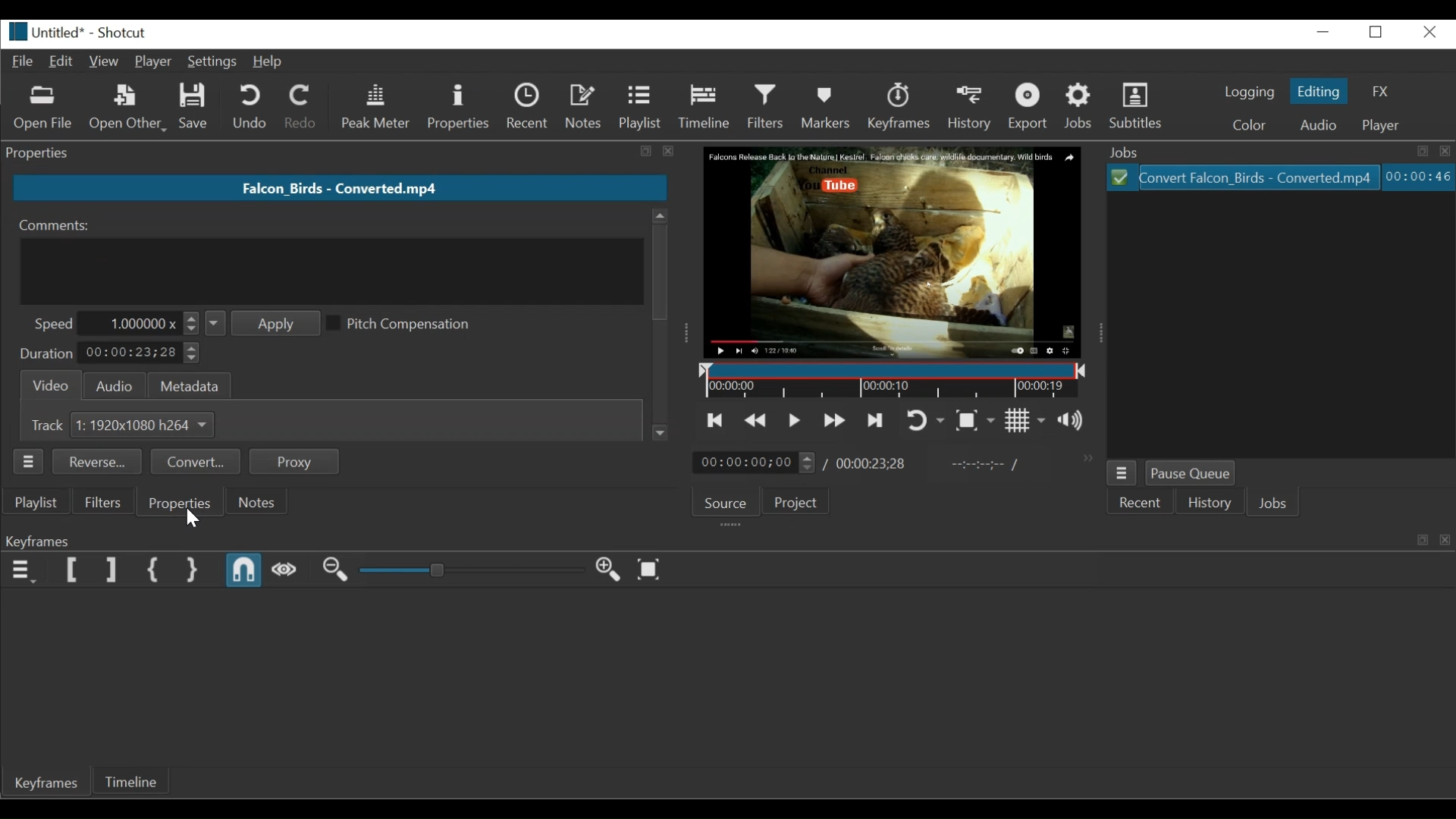 Image resolution: width=1456 pixels, height=819 pixels. Describe the element at coordinates (461, 107) in the screenshot. I see `Properties` at that location.